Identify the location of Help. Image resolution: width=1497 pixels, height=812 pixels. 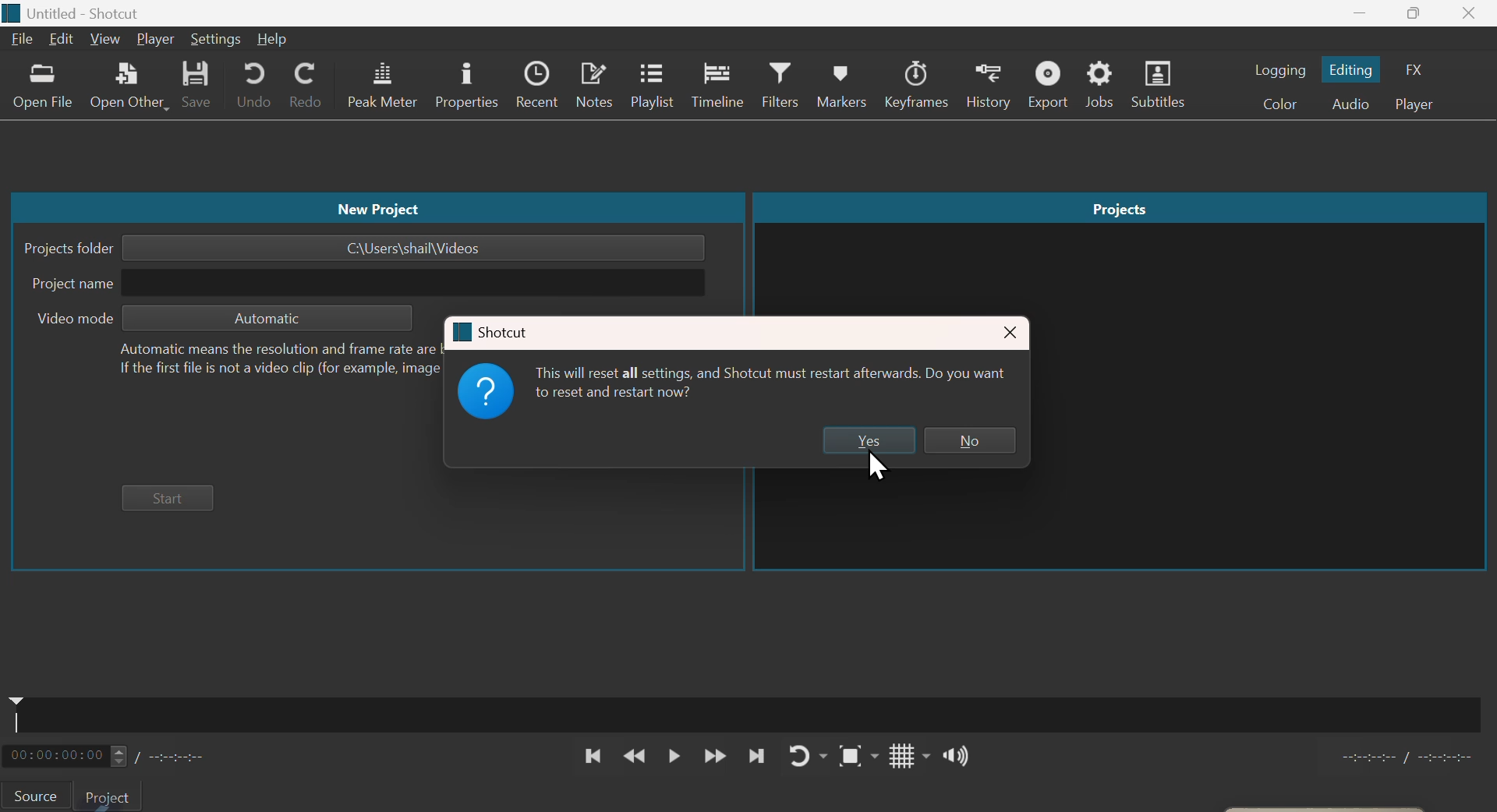
(272, 38).